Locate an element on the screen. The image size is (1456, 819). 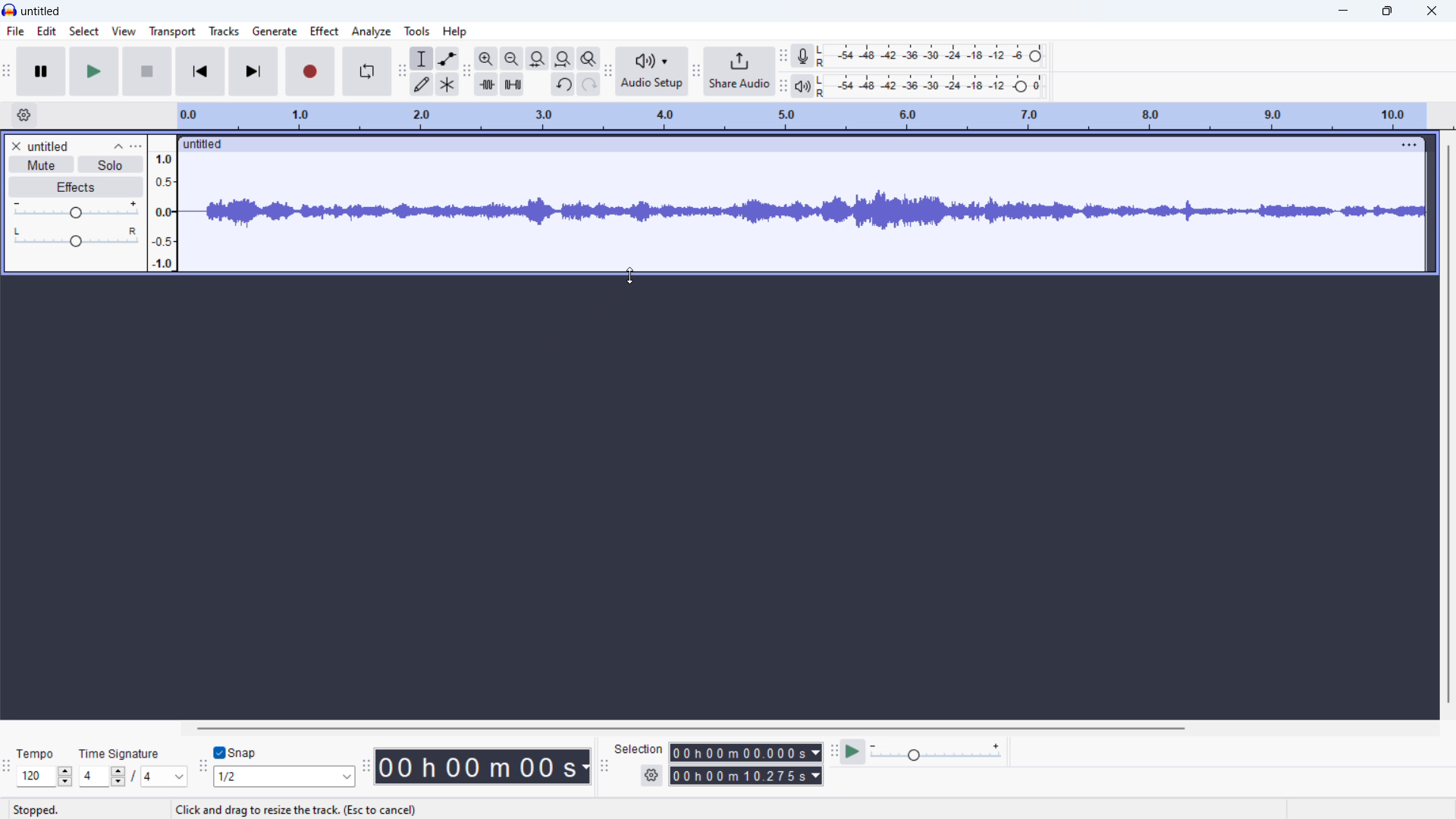
enable loop is located at coordinates (367, 71).